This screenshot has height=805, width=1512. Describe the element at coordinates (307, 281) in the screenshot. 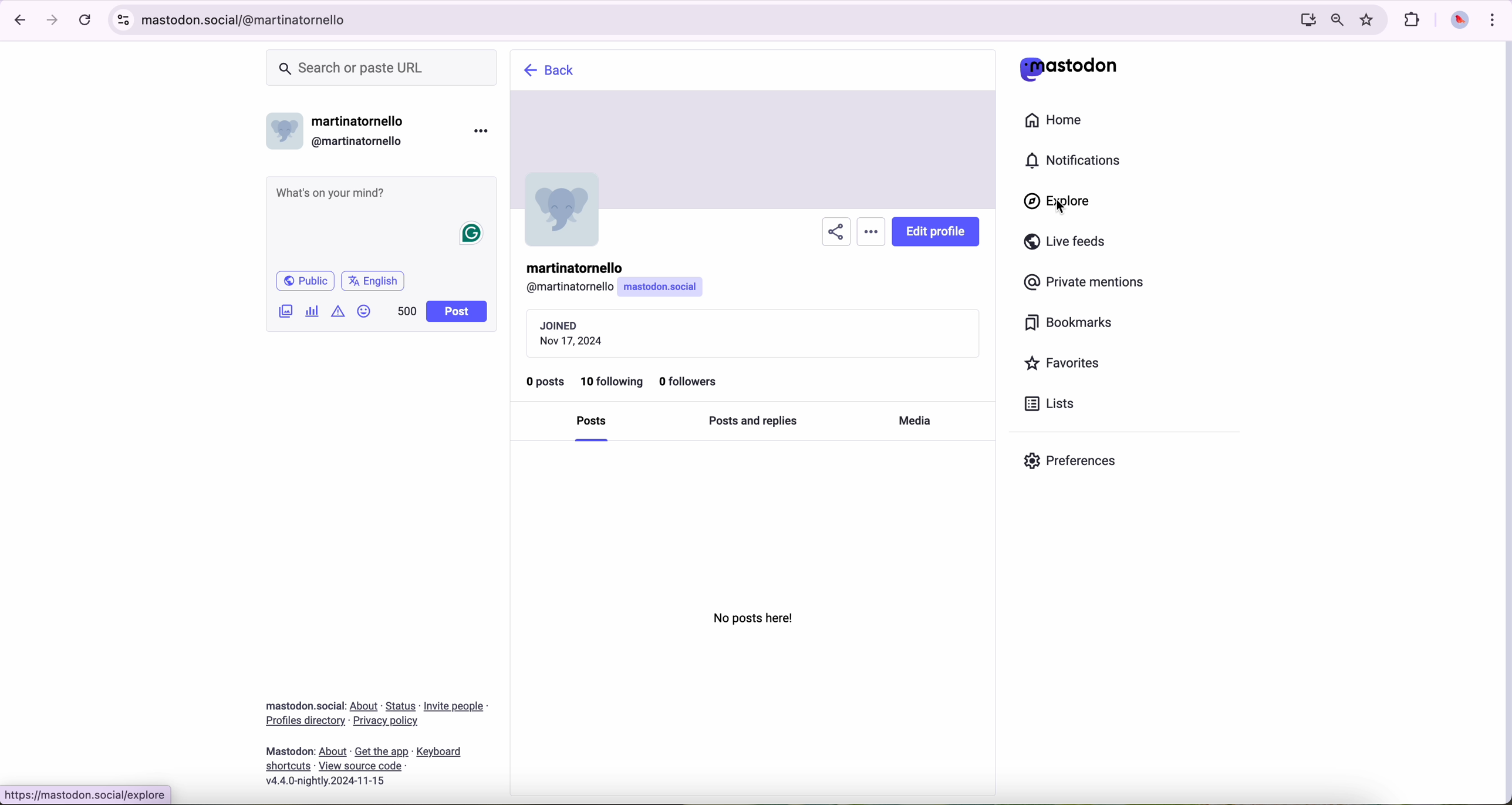

I see `public` at that location.